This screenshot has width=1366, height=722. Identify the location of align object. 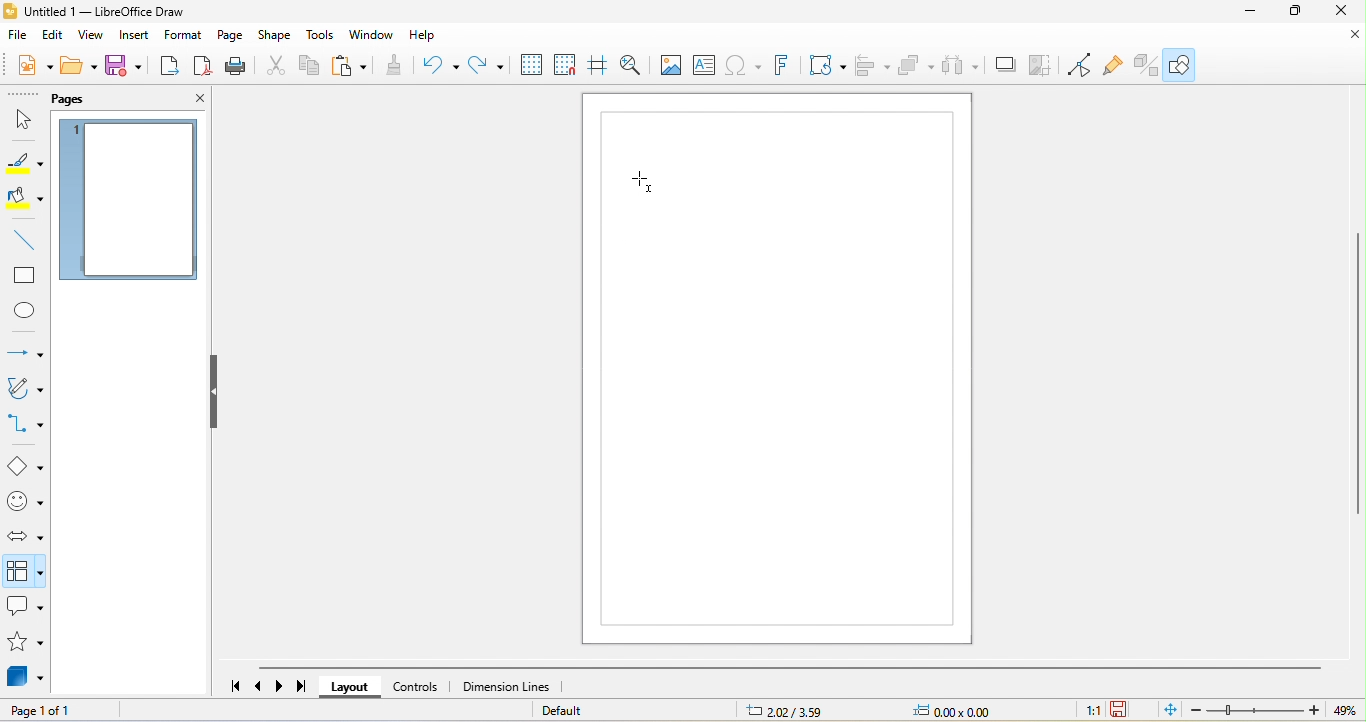
(870, 66).